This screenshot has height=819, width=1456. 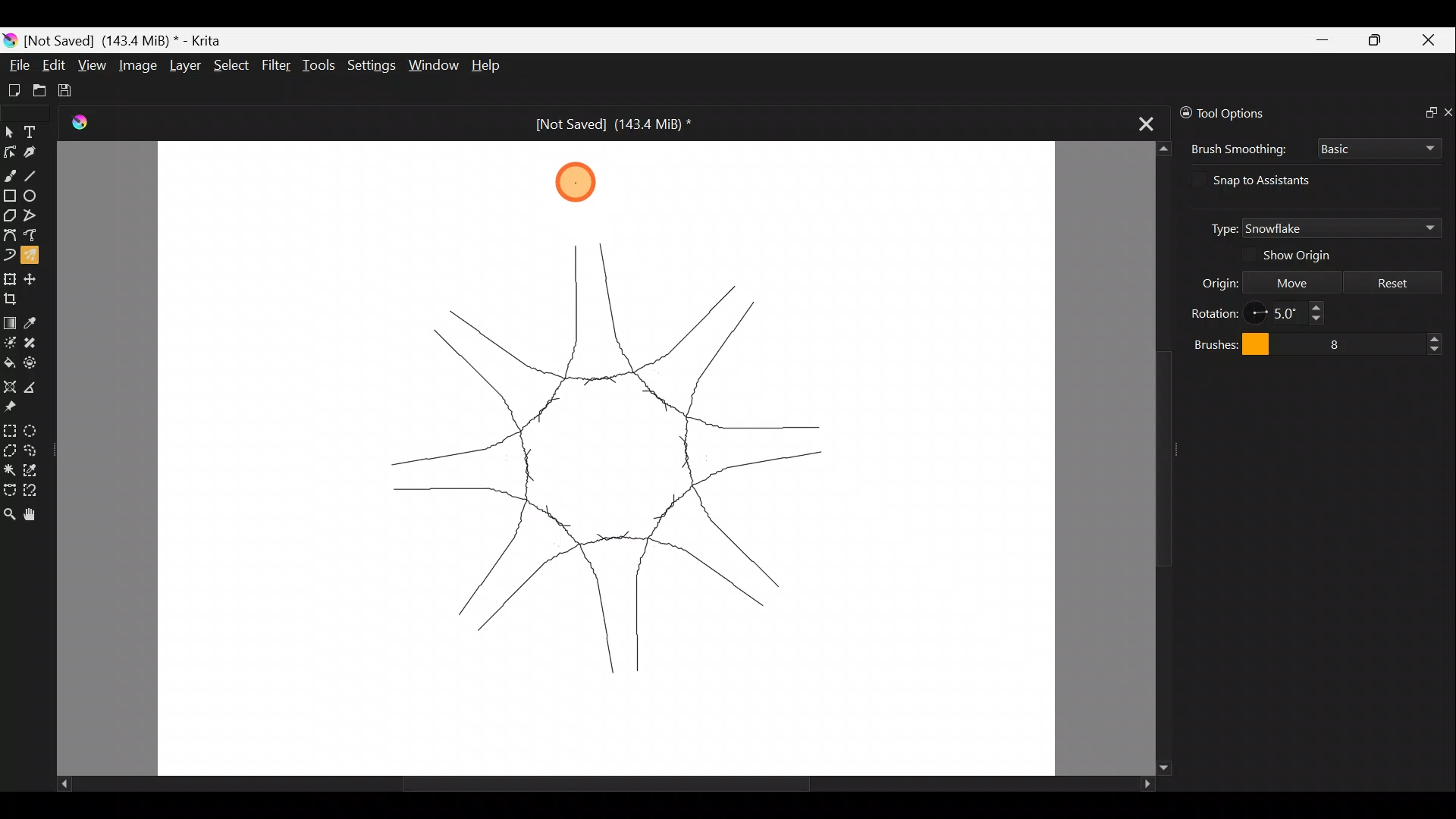 I want to click on Freehand selection tool, so click(x=33, y=450).